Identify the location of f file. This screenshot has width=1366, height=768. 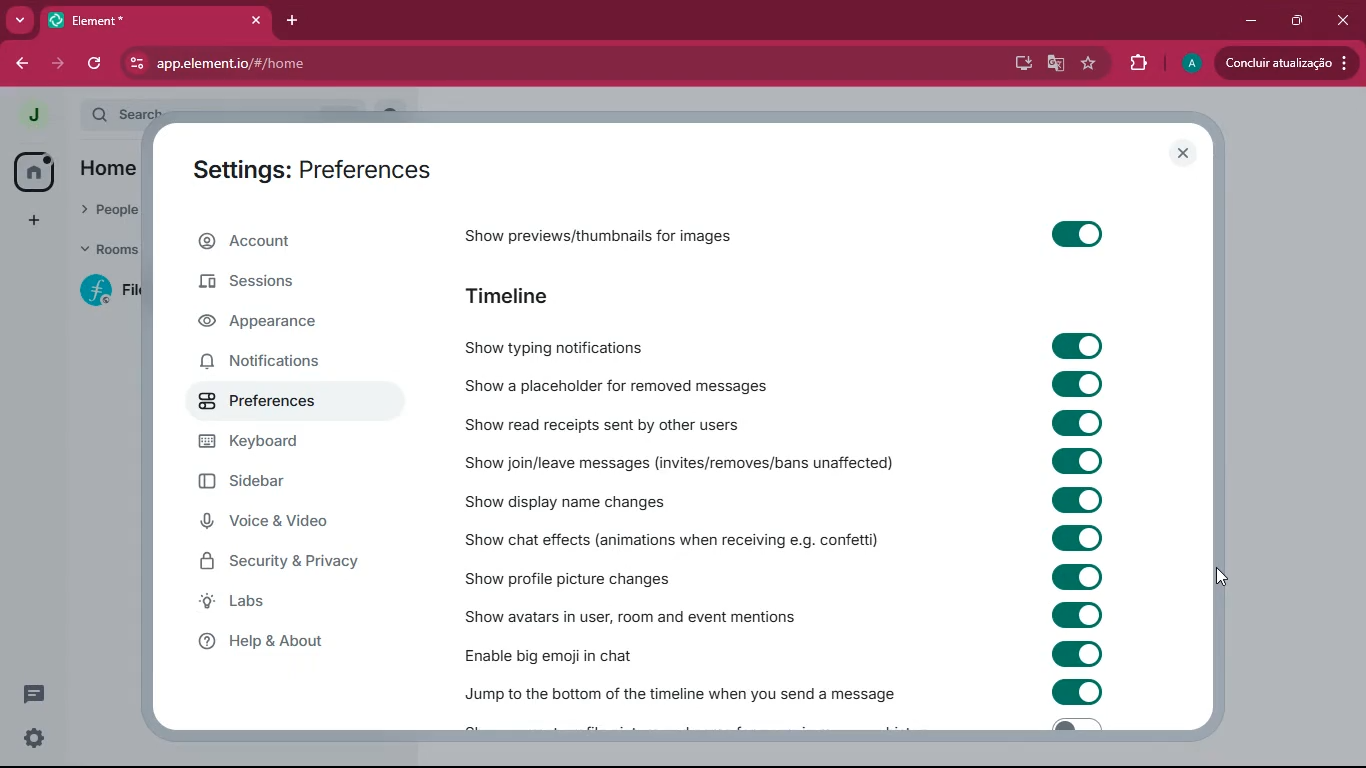
(112, 294).